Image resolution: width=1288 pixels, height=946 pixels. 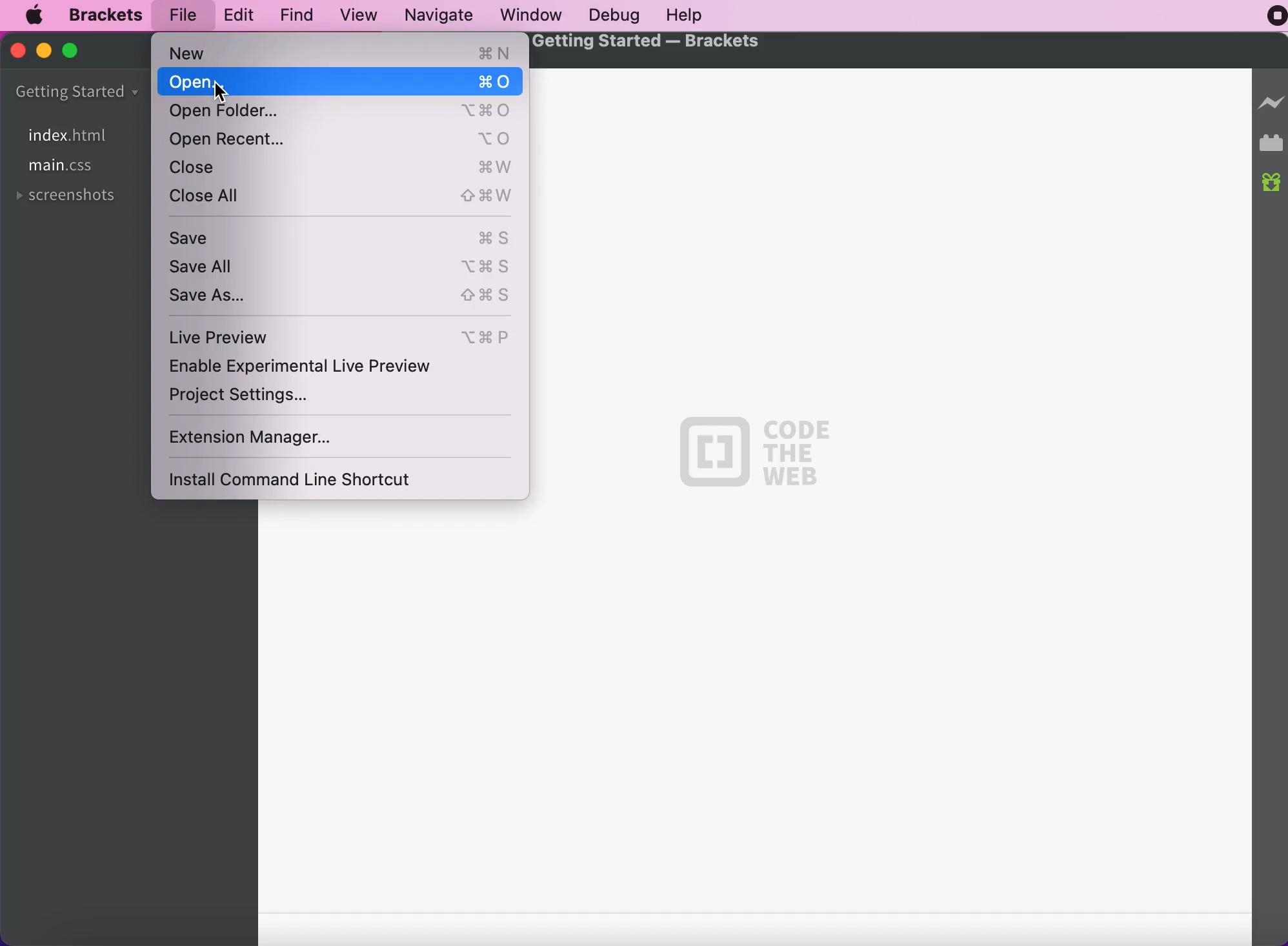 I want to click on save as, so click(x=344, y=296).